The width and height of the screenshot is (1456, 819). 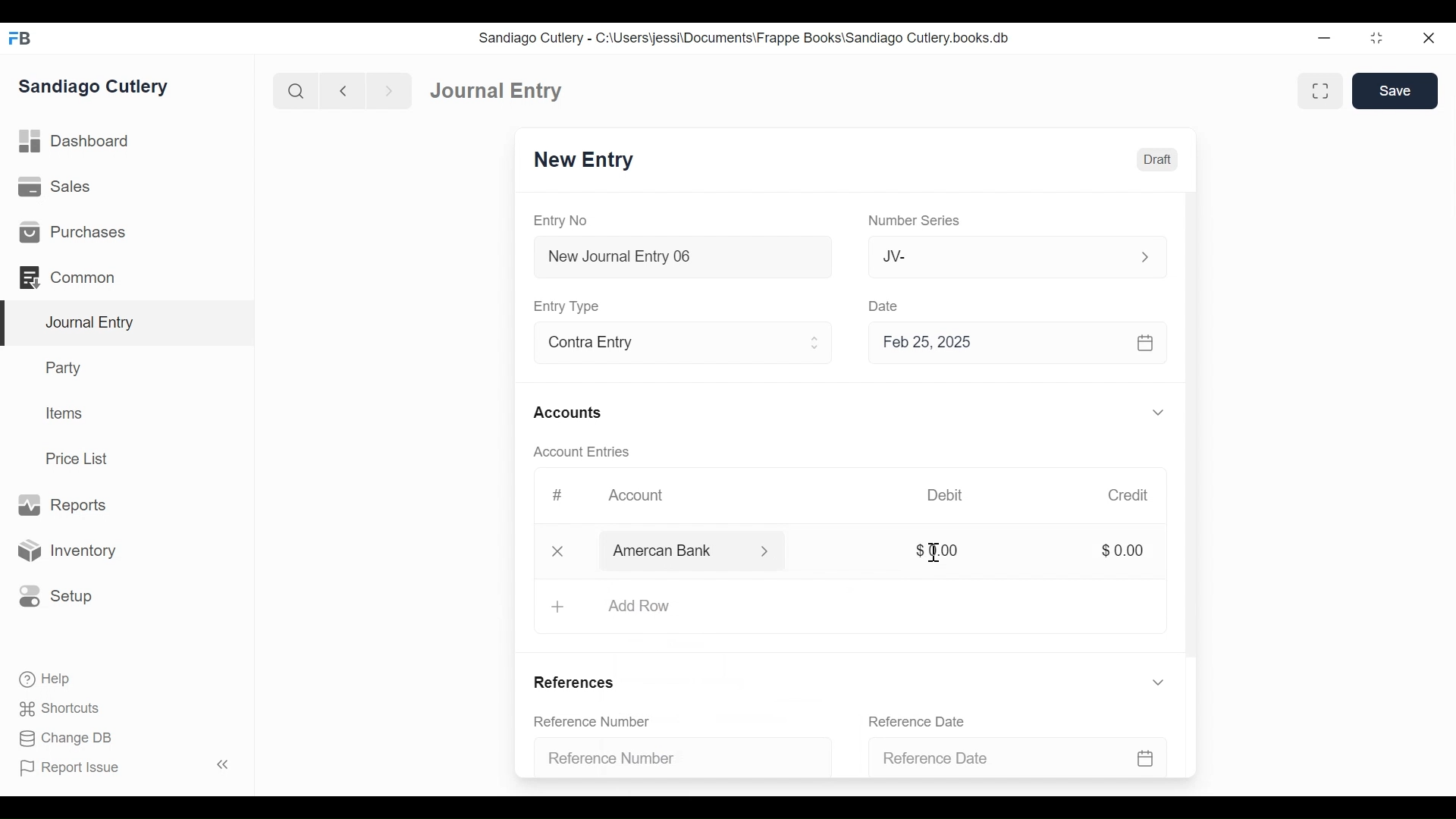 I want to click on Items, so click(x=65, y=413).